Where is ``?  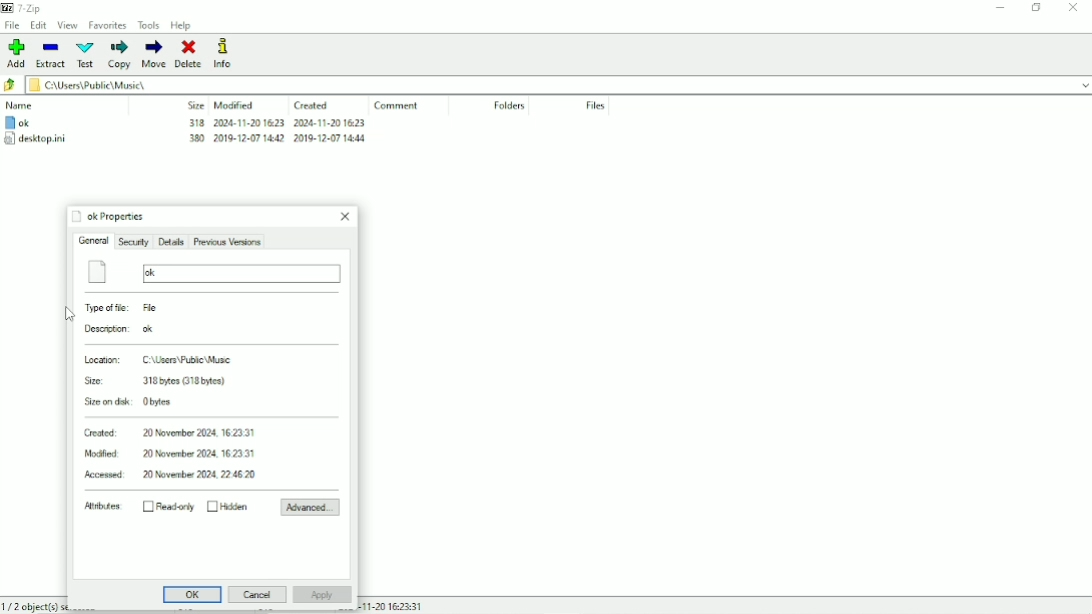  is located at coordinates (186, 124).